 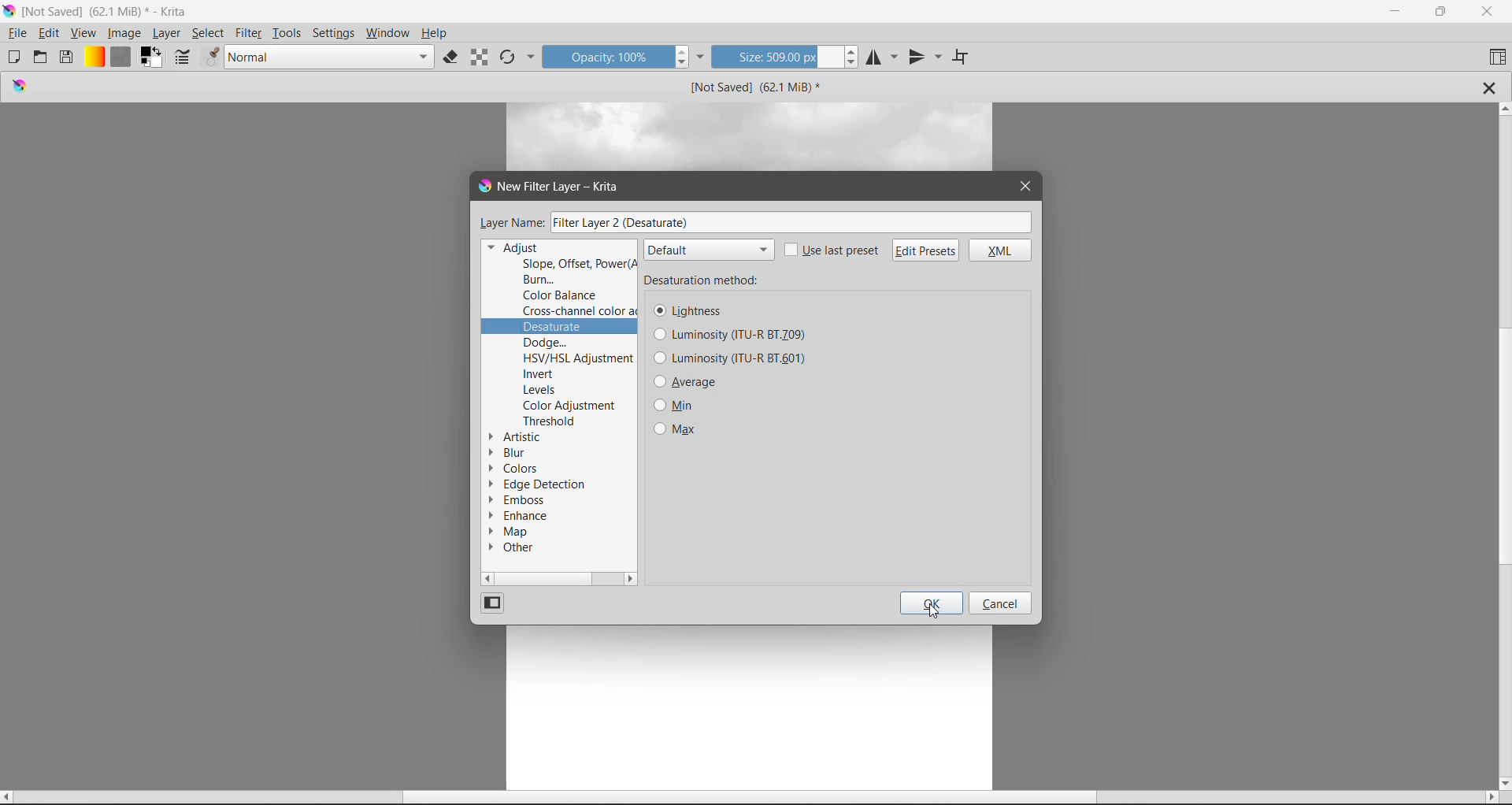 I want to click on Image, so click(x=125, y=32).